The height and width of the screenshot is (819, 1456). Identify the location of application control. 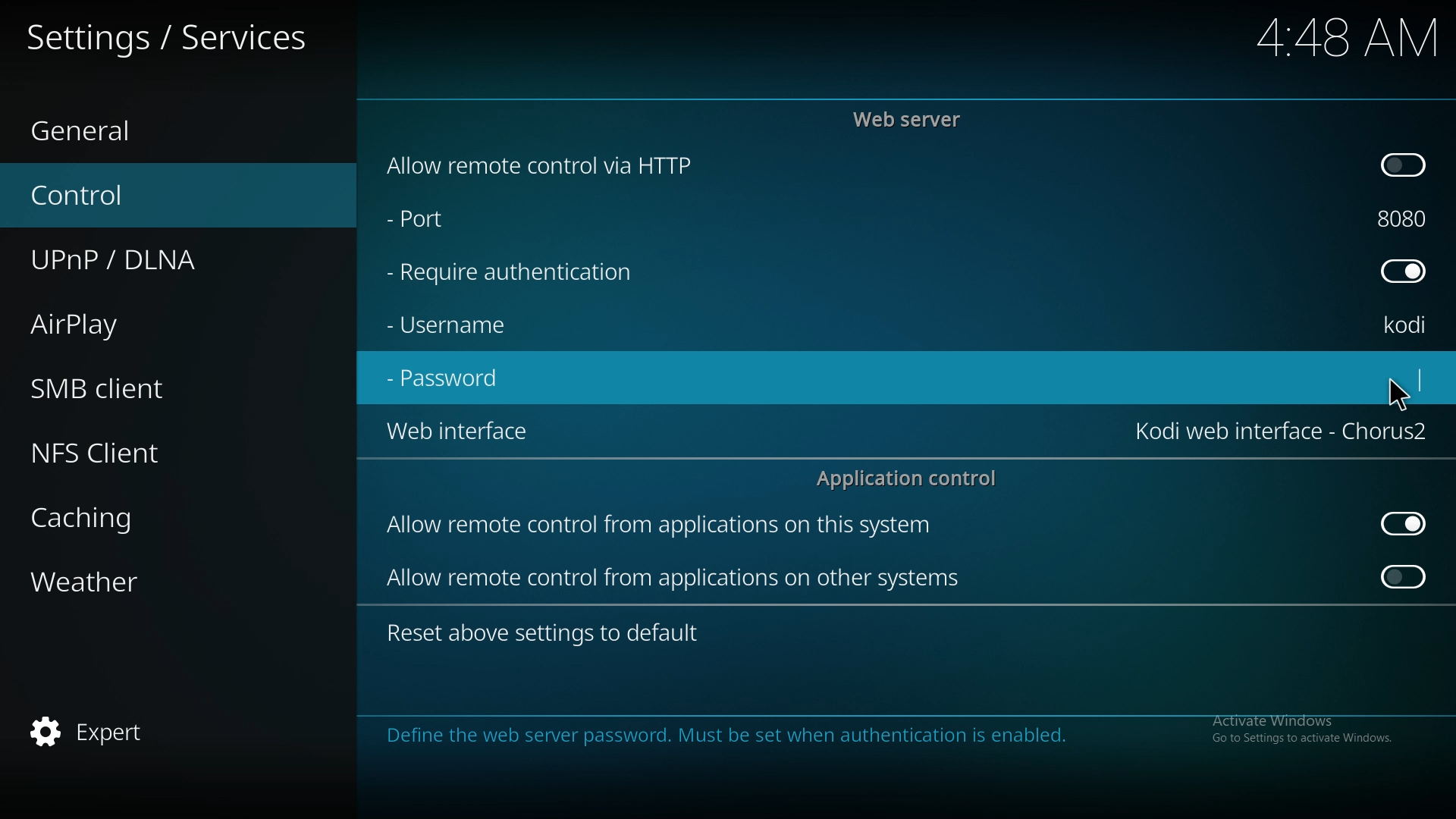
(912, 479).